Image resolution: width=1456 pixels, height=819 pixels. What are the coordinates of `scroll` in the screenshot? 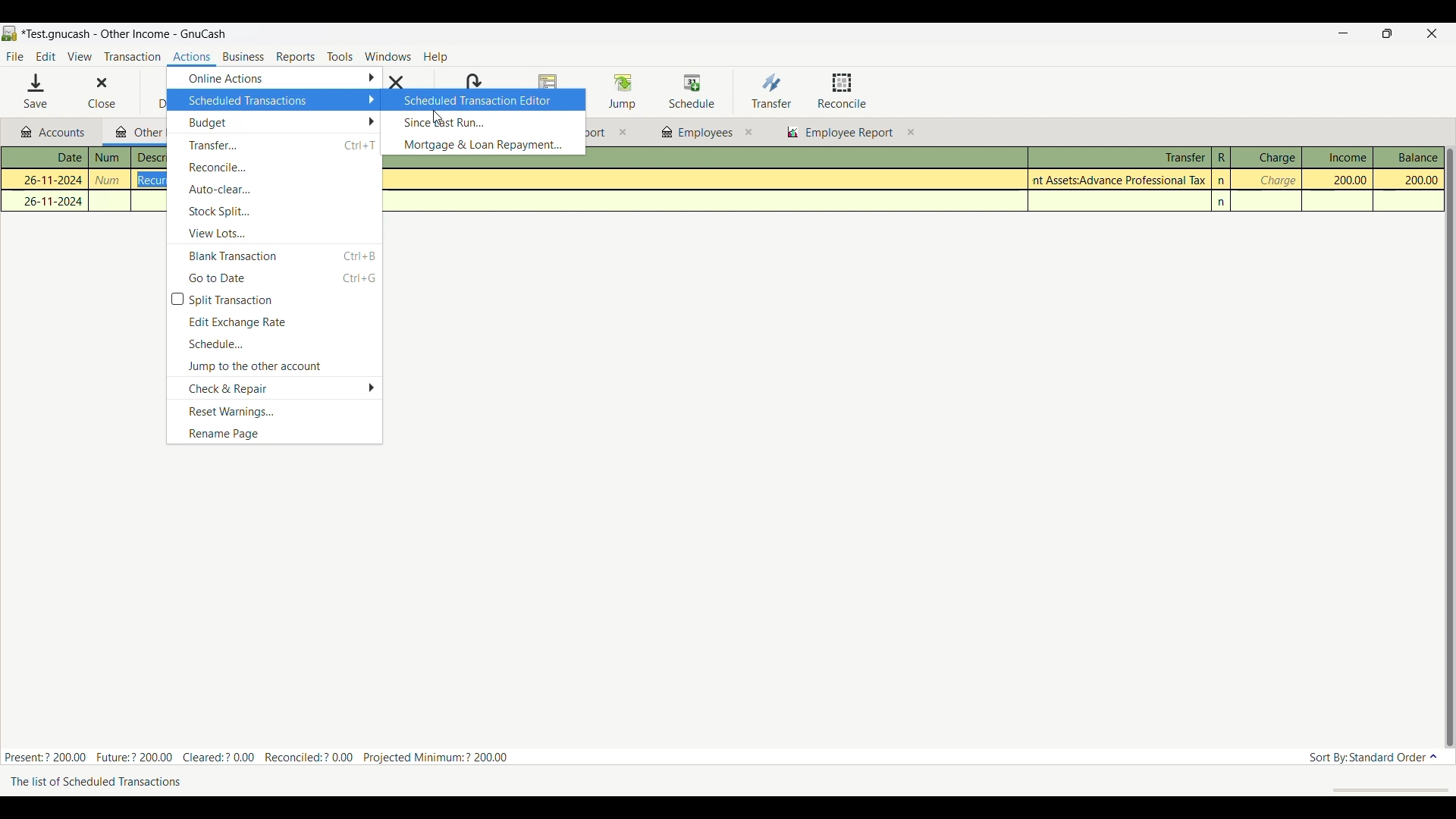 It's located at (1382, 789).